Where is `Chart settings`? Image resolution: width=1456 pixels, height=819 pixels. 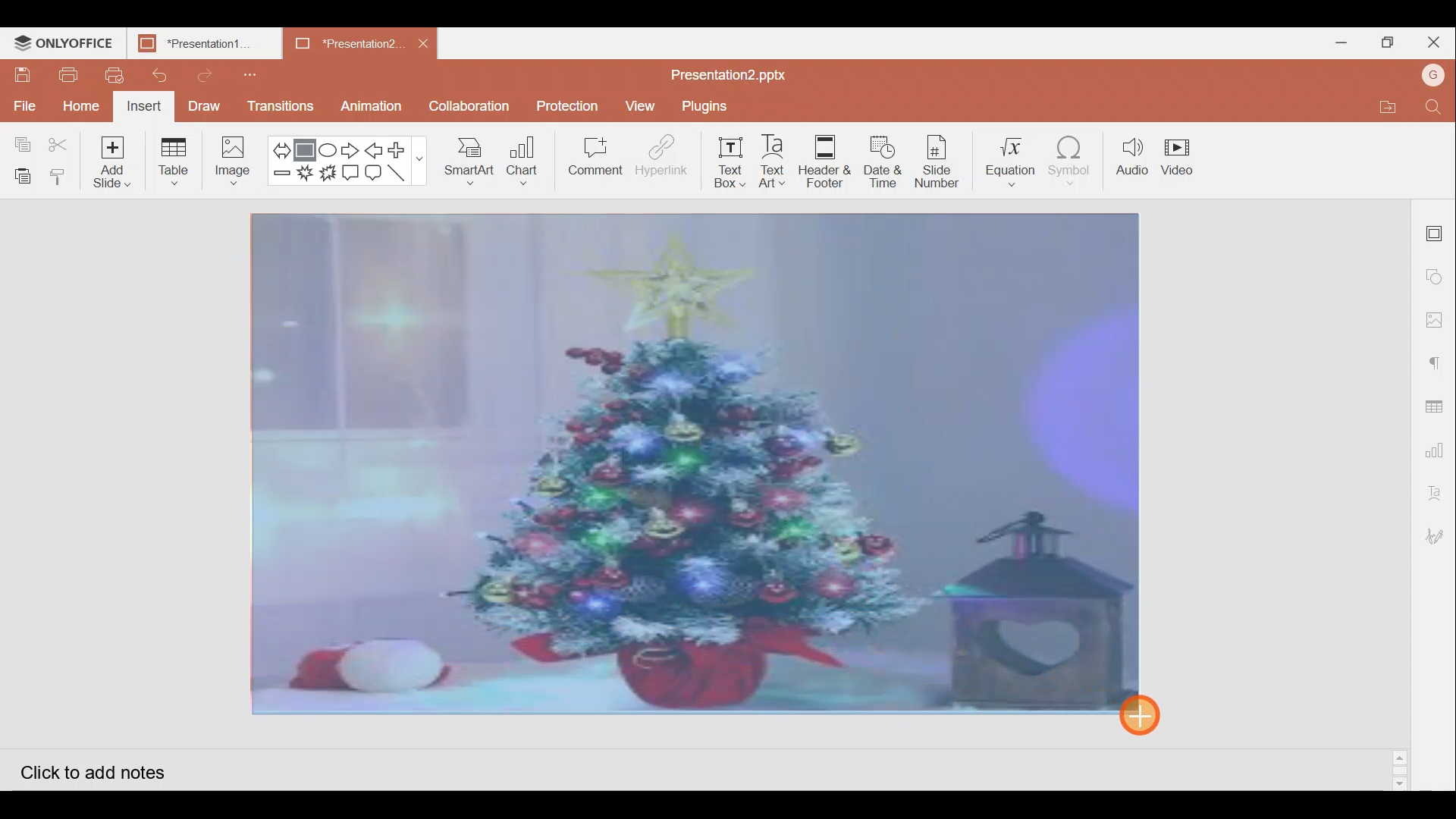 Chart settings is located at coordinates (1439, 444).